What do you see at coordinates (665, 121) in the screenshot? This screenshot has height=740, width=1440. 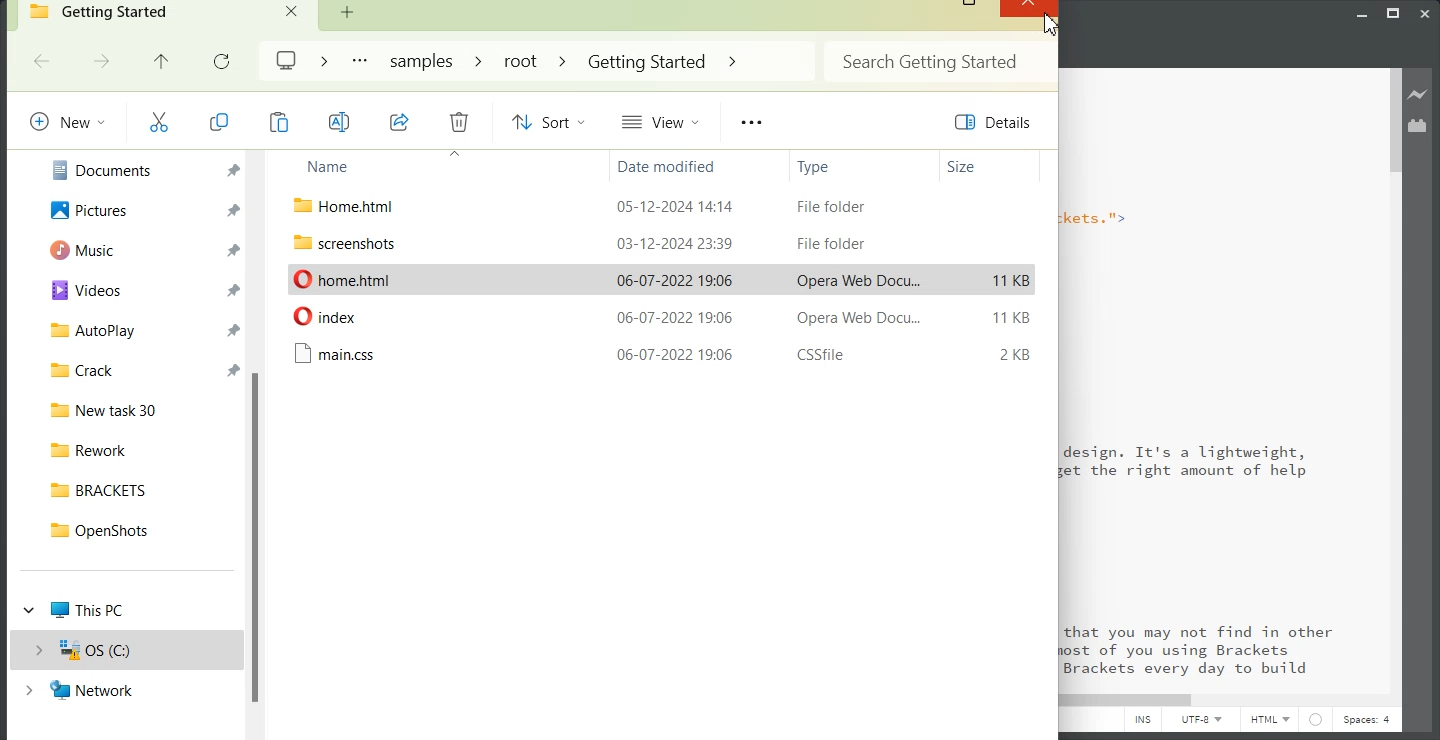 I see `View` at bounding box center [665, 121].